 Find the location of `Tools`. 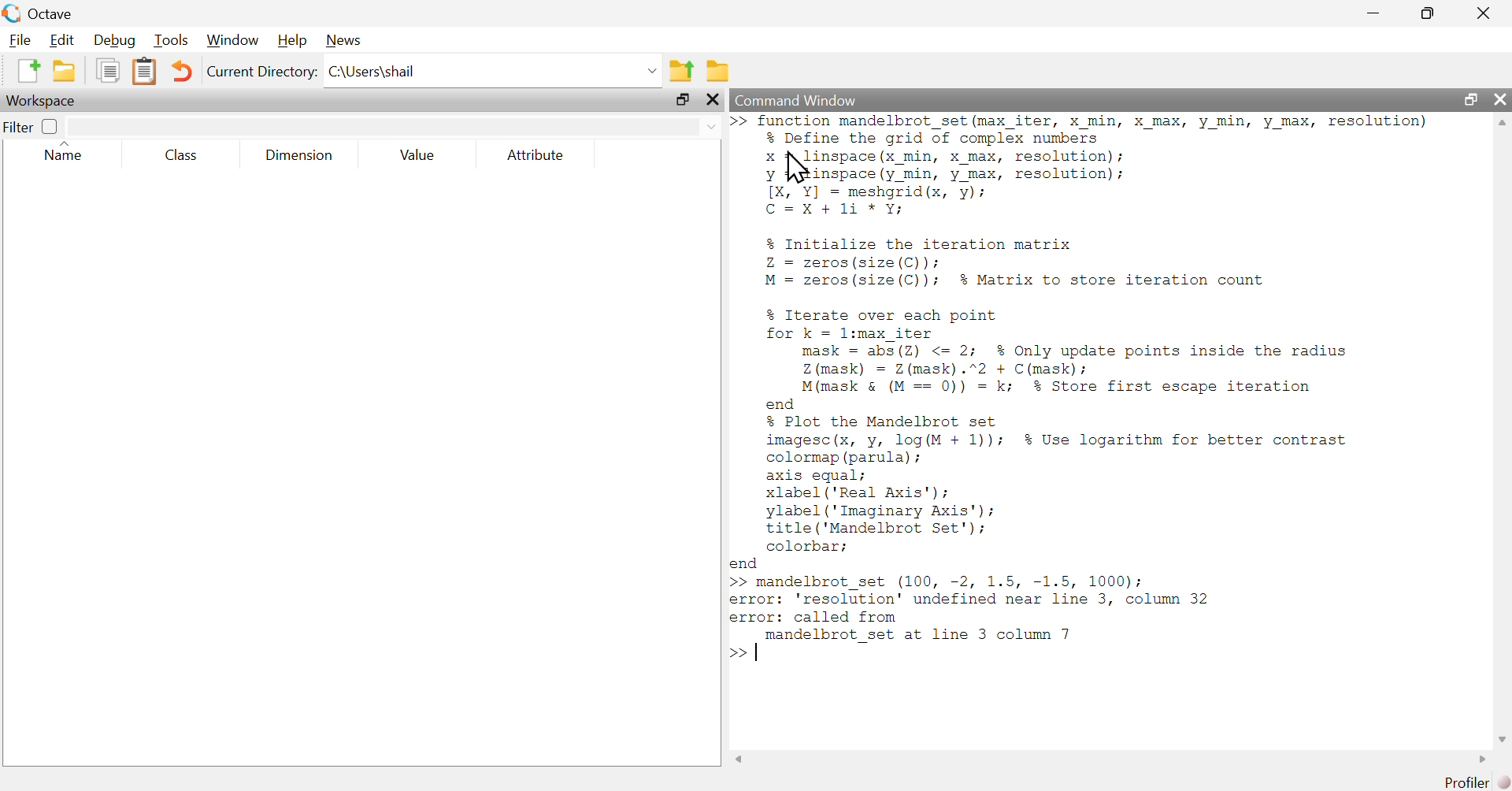

Tools is located at coordinates (169, 41).